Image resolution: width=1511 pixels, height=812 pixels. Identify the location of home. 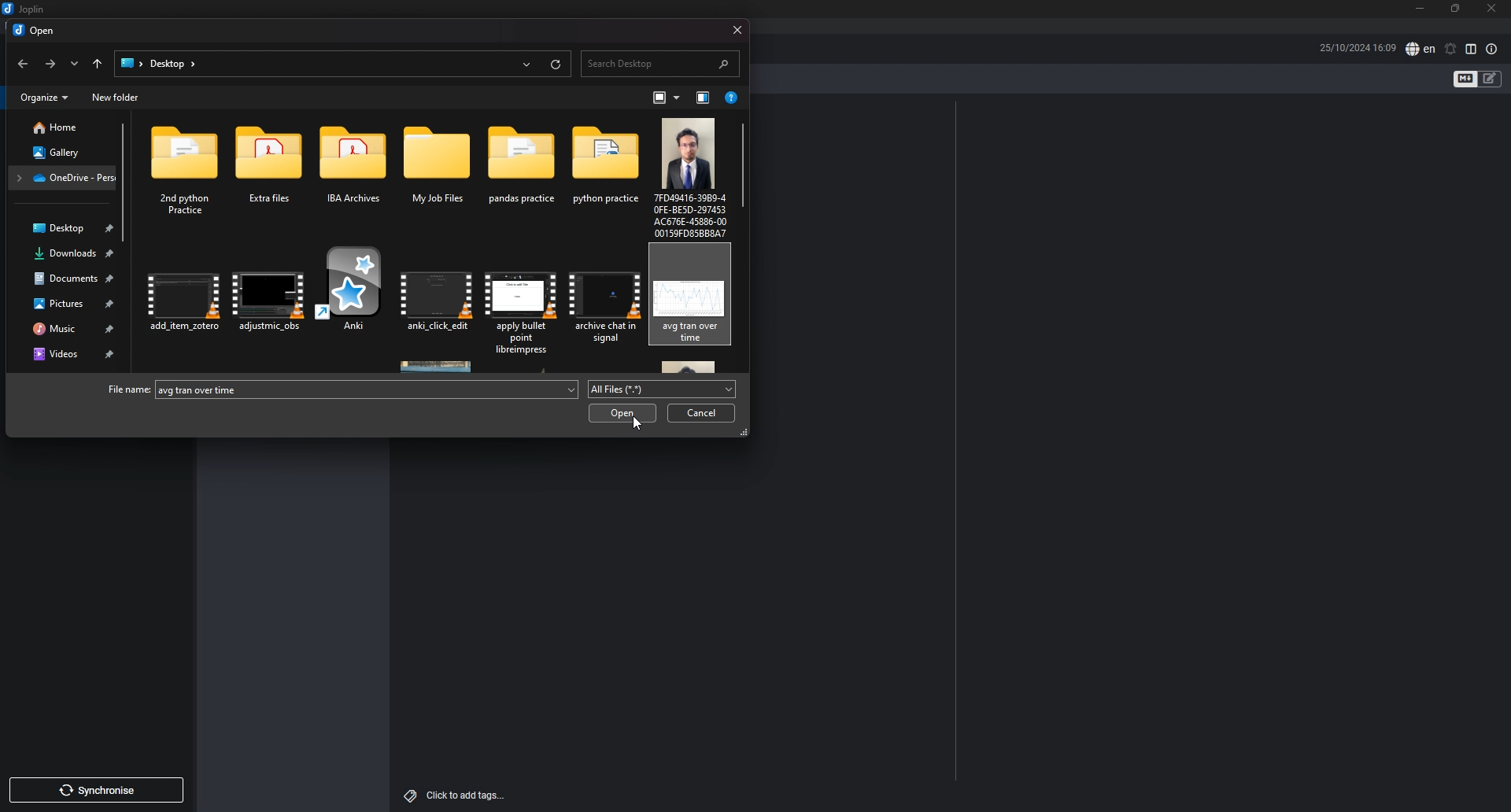
(57, 127).